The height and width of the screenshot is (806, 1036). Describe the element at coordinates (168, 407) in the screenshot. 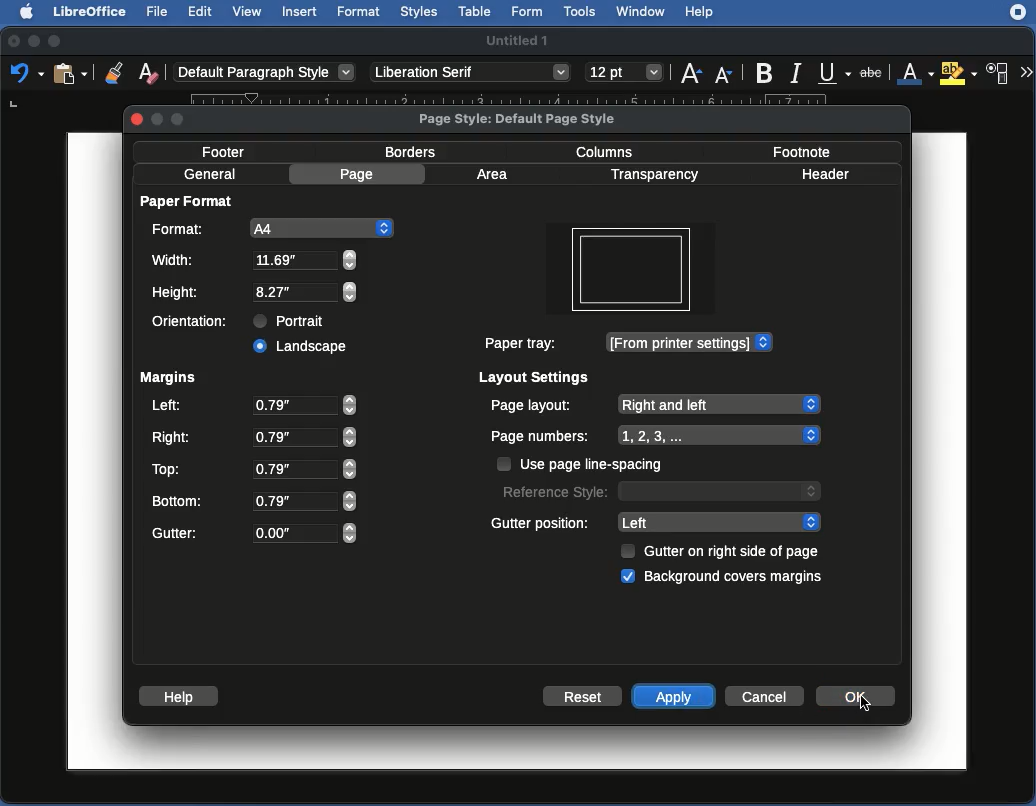

I see `Left` at that location.